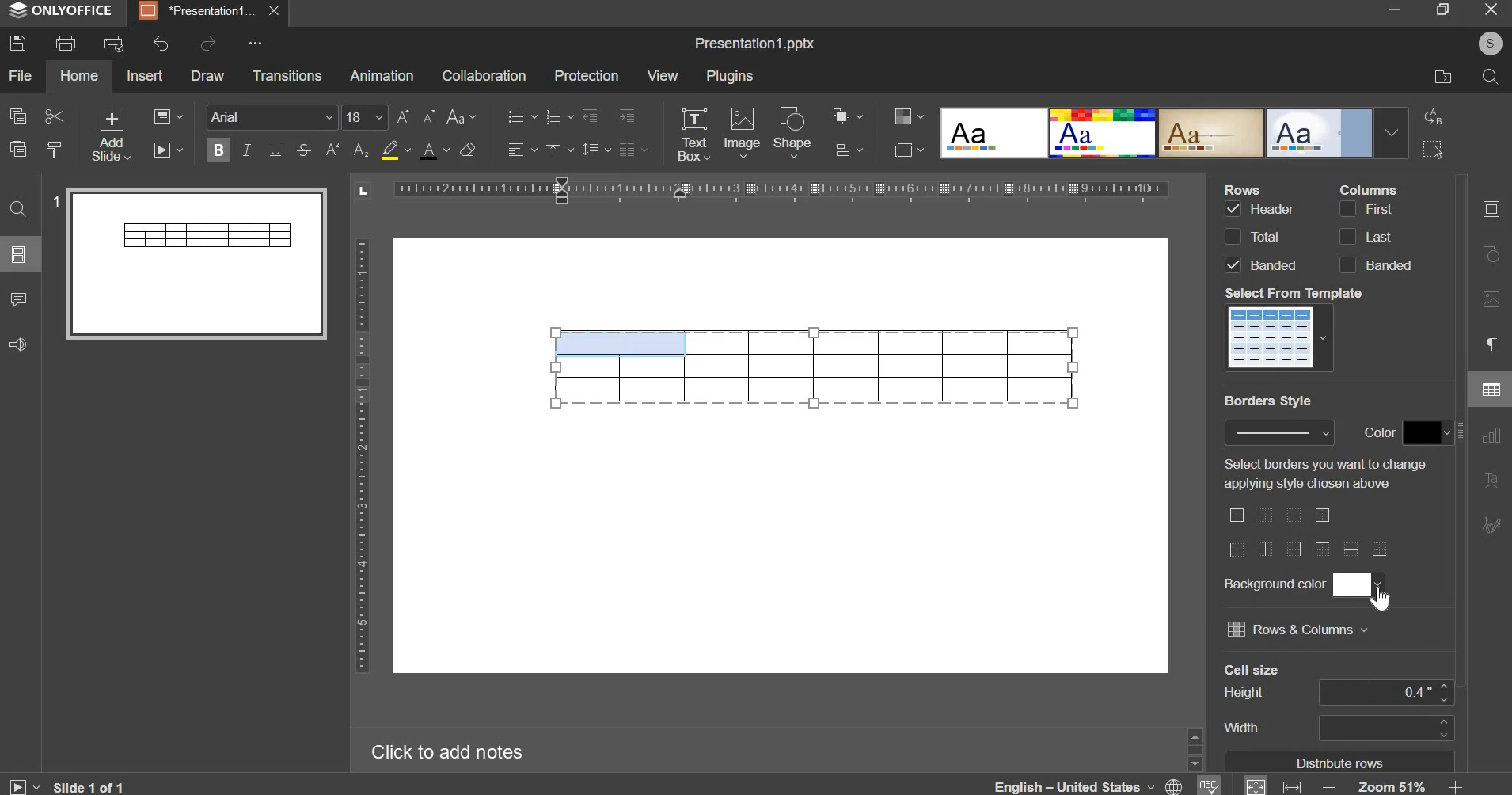 The width and height of the screenshot is (1512, 795). I want to click on shape, so click(794, 132).